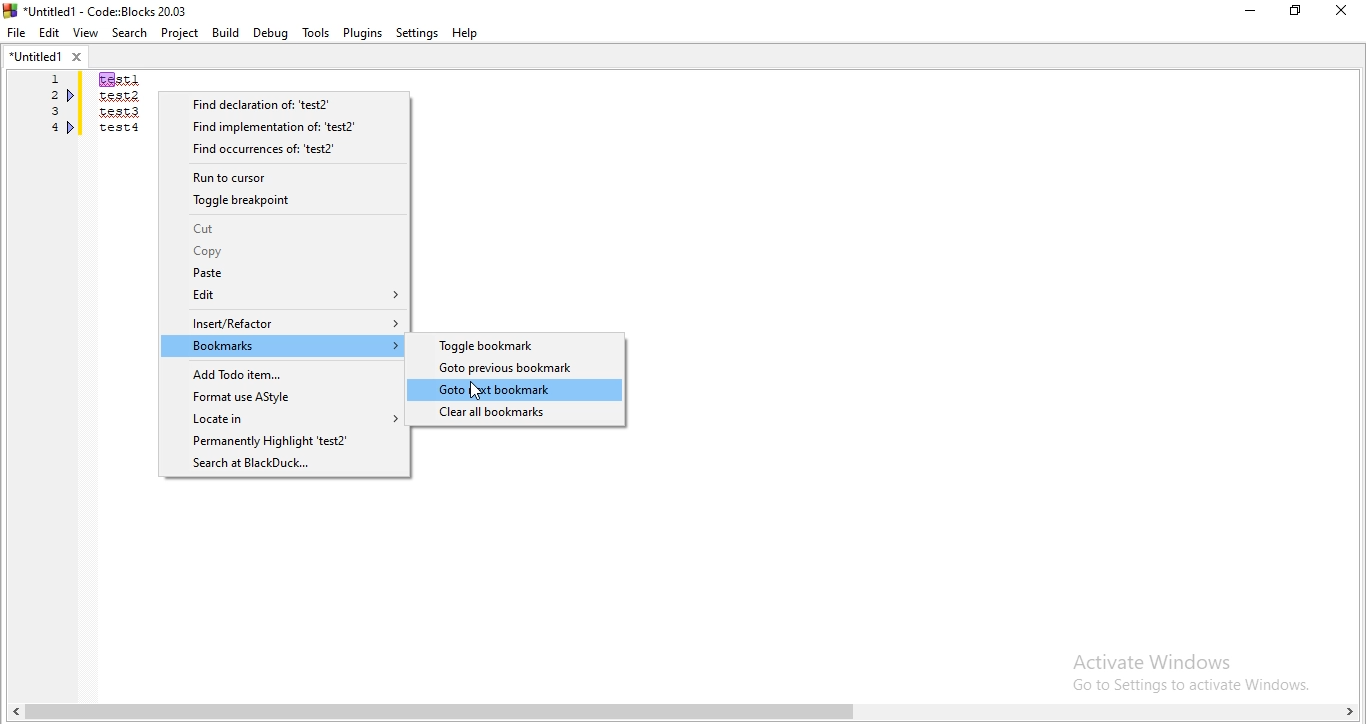 The image size is (1366, 724). What do you see at coordinates (1346, 11) in the screenshot?
I see `close` at bounding box center [1346, 11].